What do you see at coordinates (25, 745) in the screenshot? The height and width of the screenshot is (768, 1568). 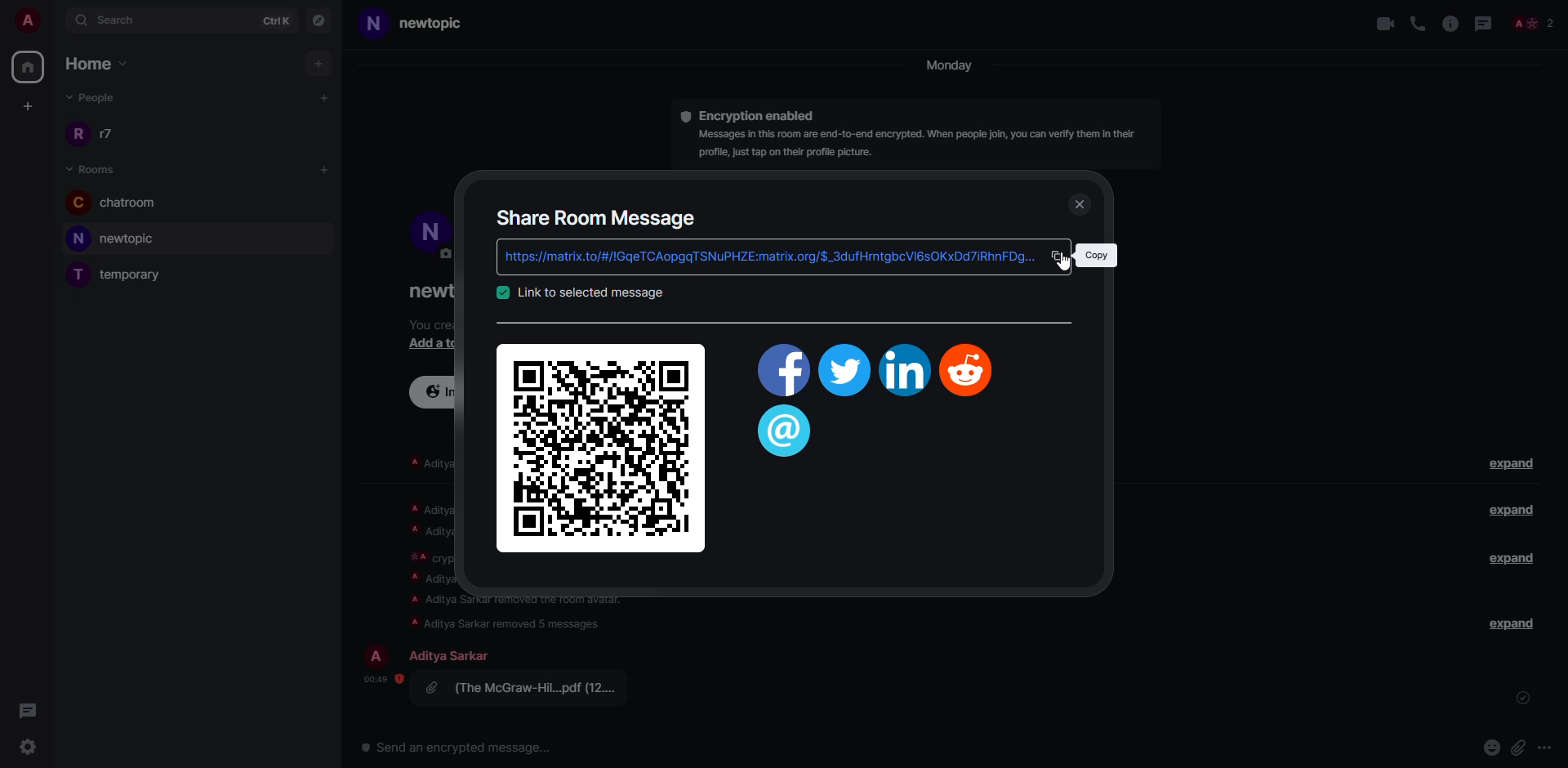 I see `settings` at bounding box center [25, 745].